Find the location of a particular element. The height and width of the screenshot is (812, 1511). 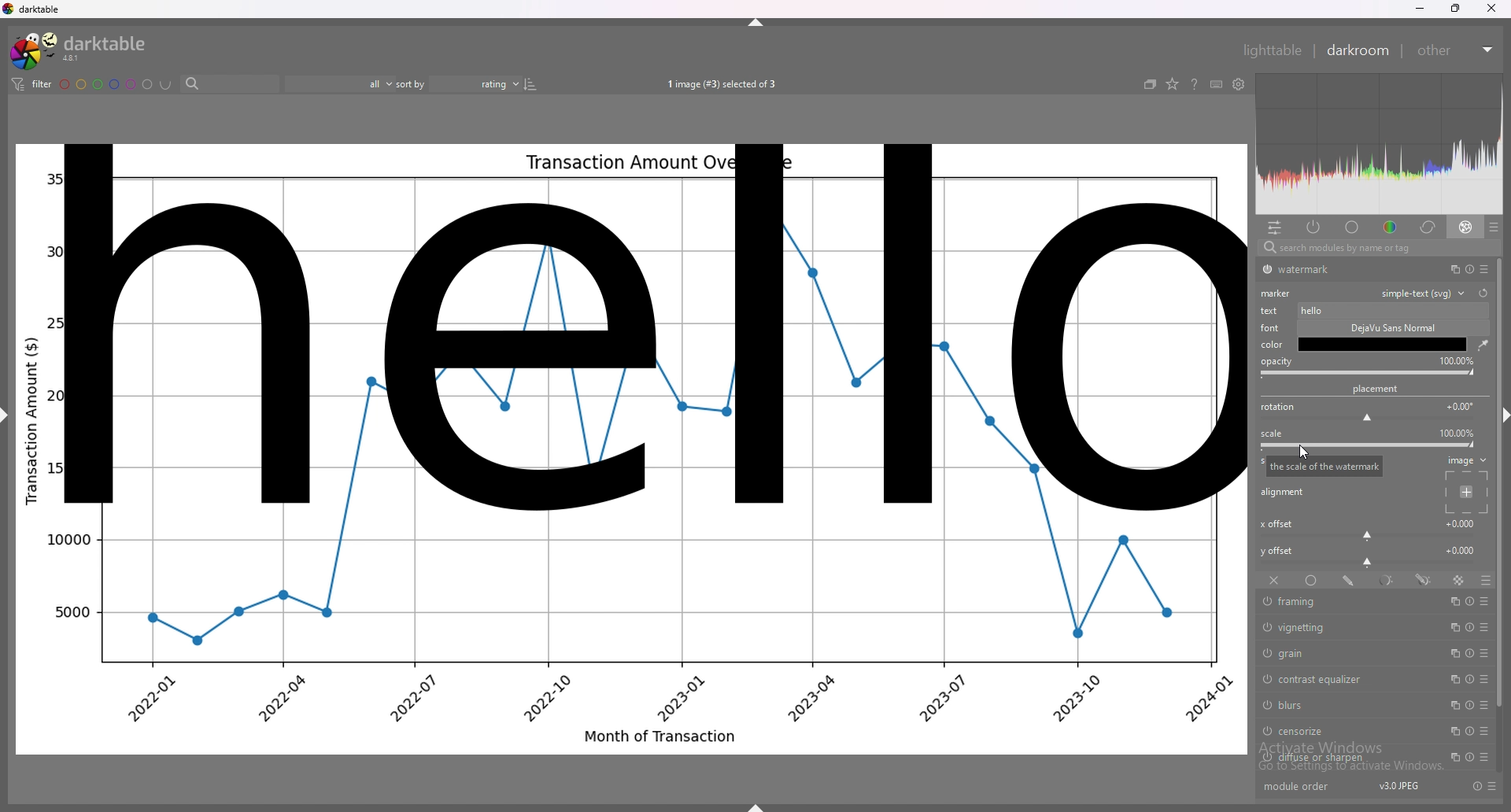

switch off is located at coordinates (1266, 603).